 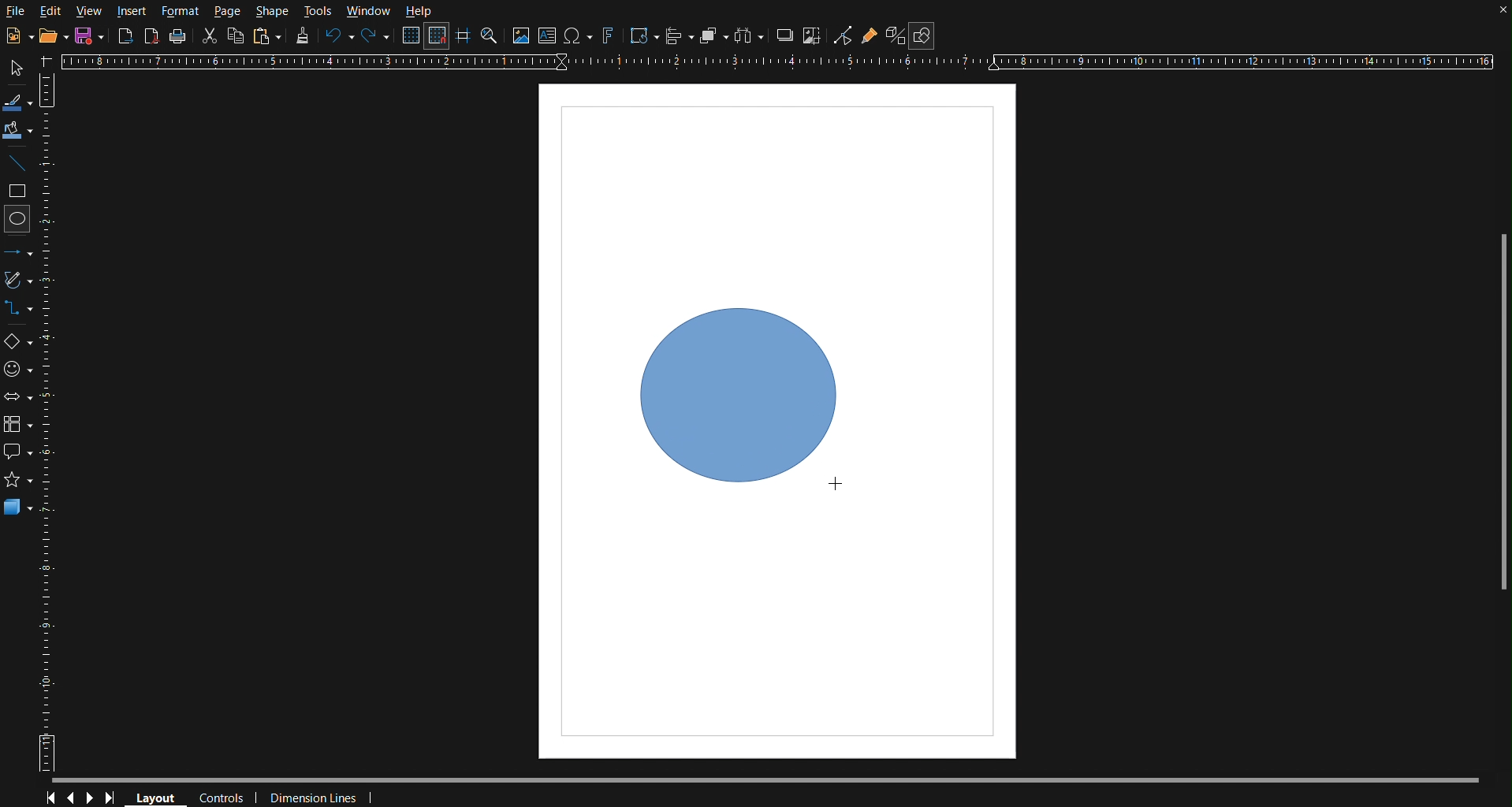 What do you see at coordinates (19, 280) in the screenshot?
I see `Vectors` at bounding box center [19, 280].